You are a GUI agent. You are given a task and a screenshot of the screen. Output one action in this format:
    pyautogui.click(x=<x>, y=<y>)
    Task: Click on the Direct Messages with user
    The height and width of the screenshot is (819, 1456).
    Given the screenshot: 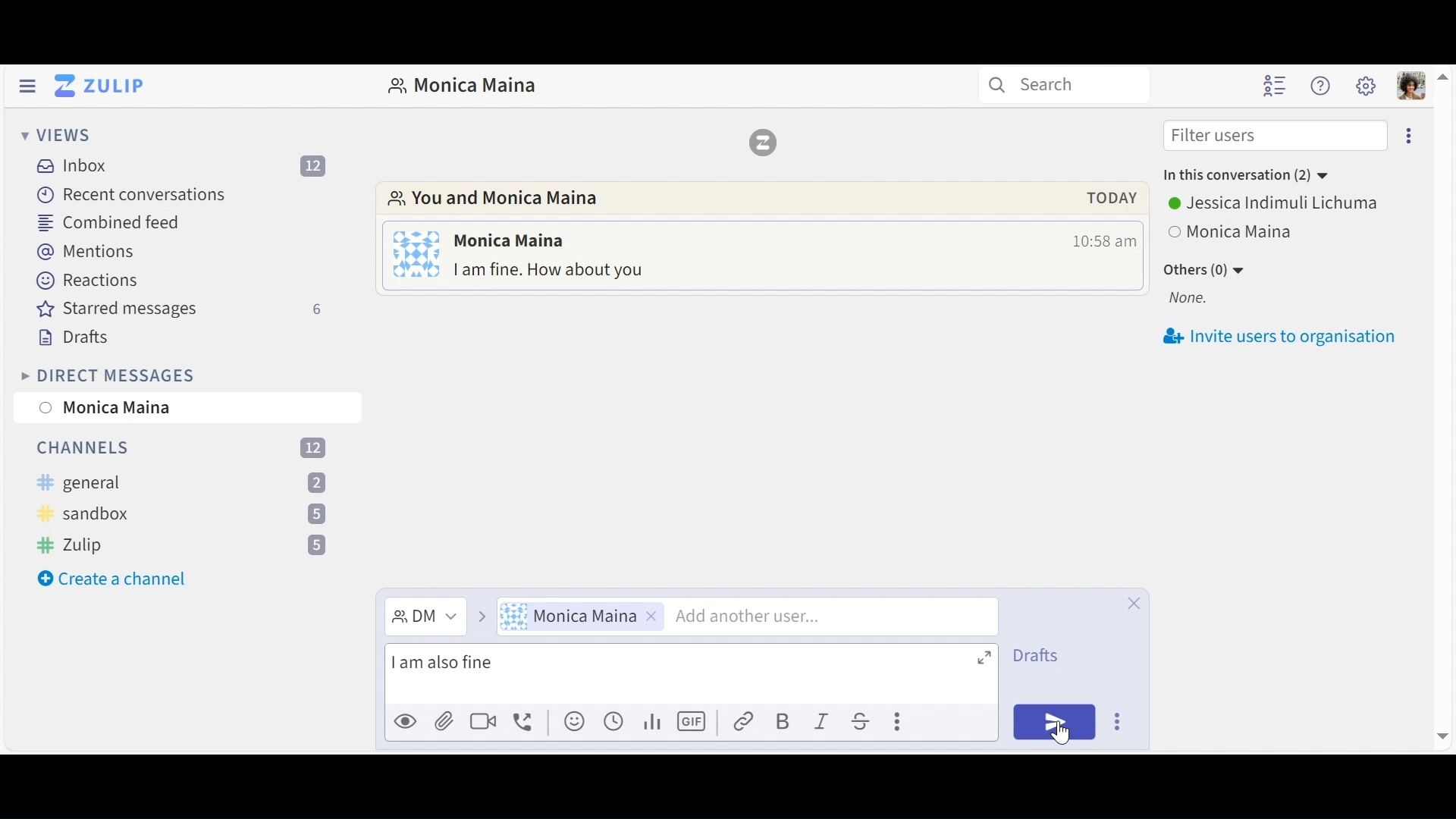 What is the action you would take?
    pyautogui.click(x=462, y=86)
    